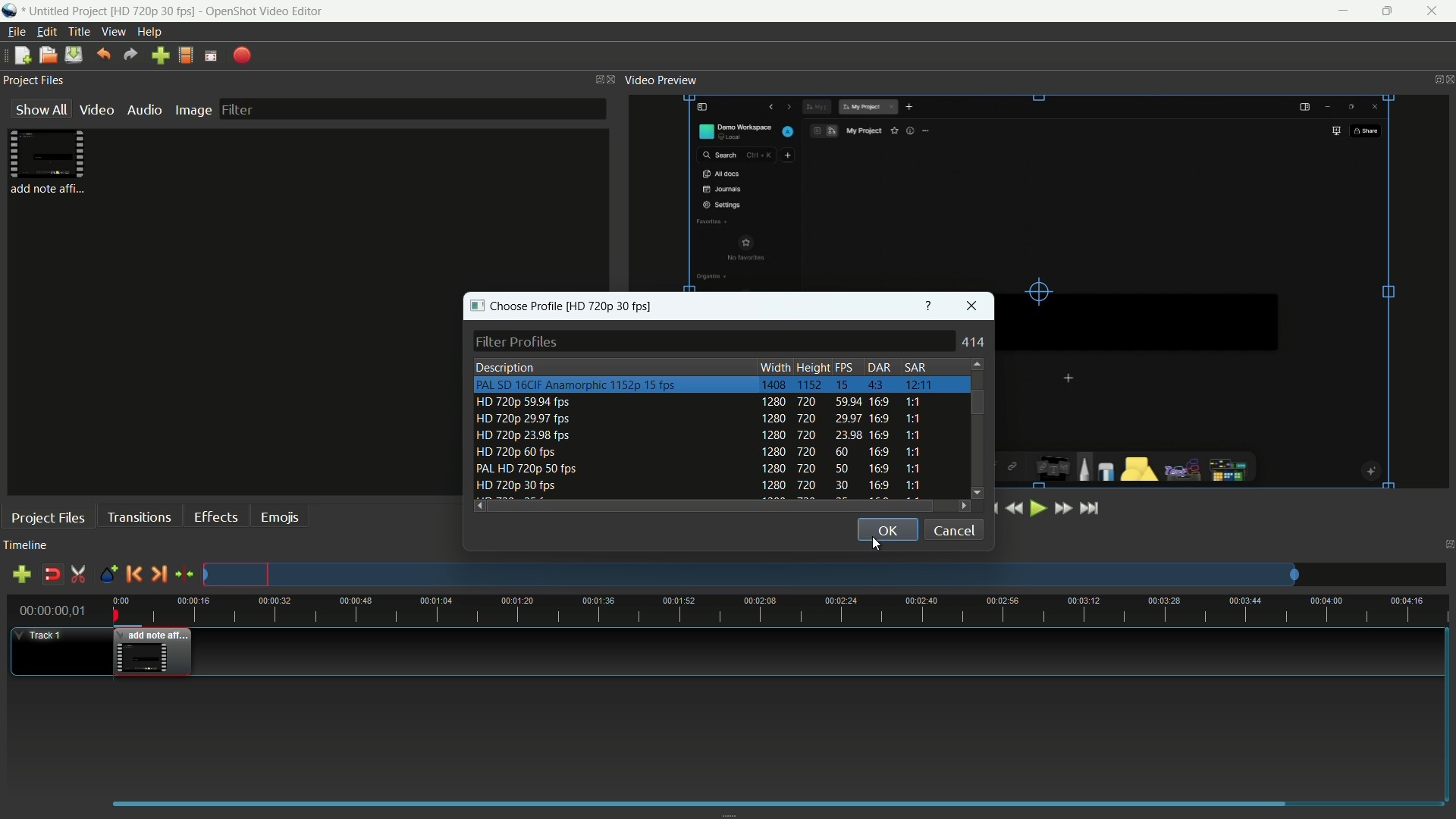 Image resolution: width=1456 pixels, height=819 pixels. I want to click on height, so click(812, 368).